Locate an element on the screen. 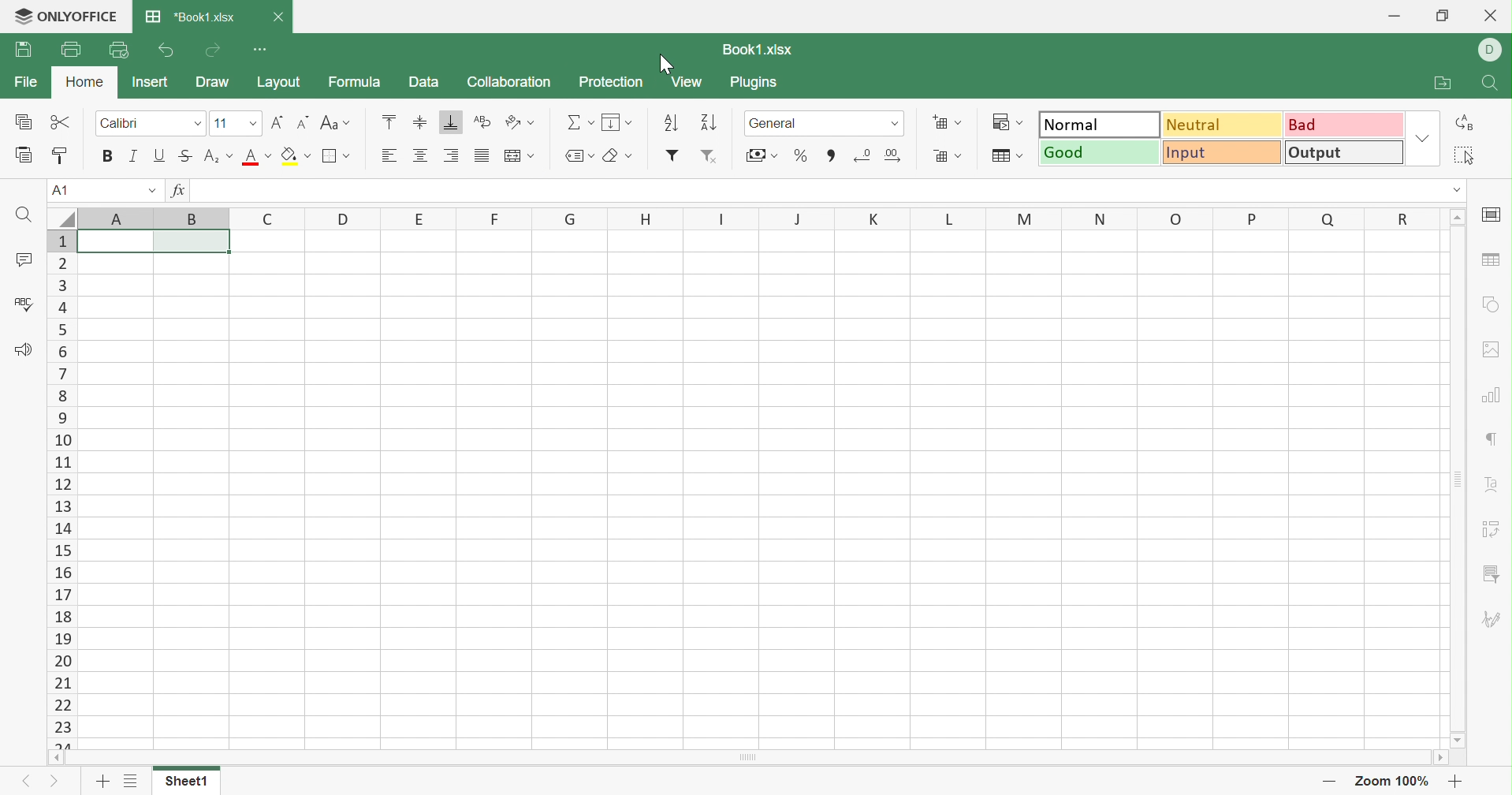 The width and height of the screenshot is (1512, 795). Open file location is located at coordinates (1443, 84).